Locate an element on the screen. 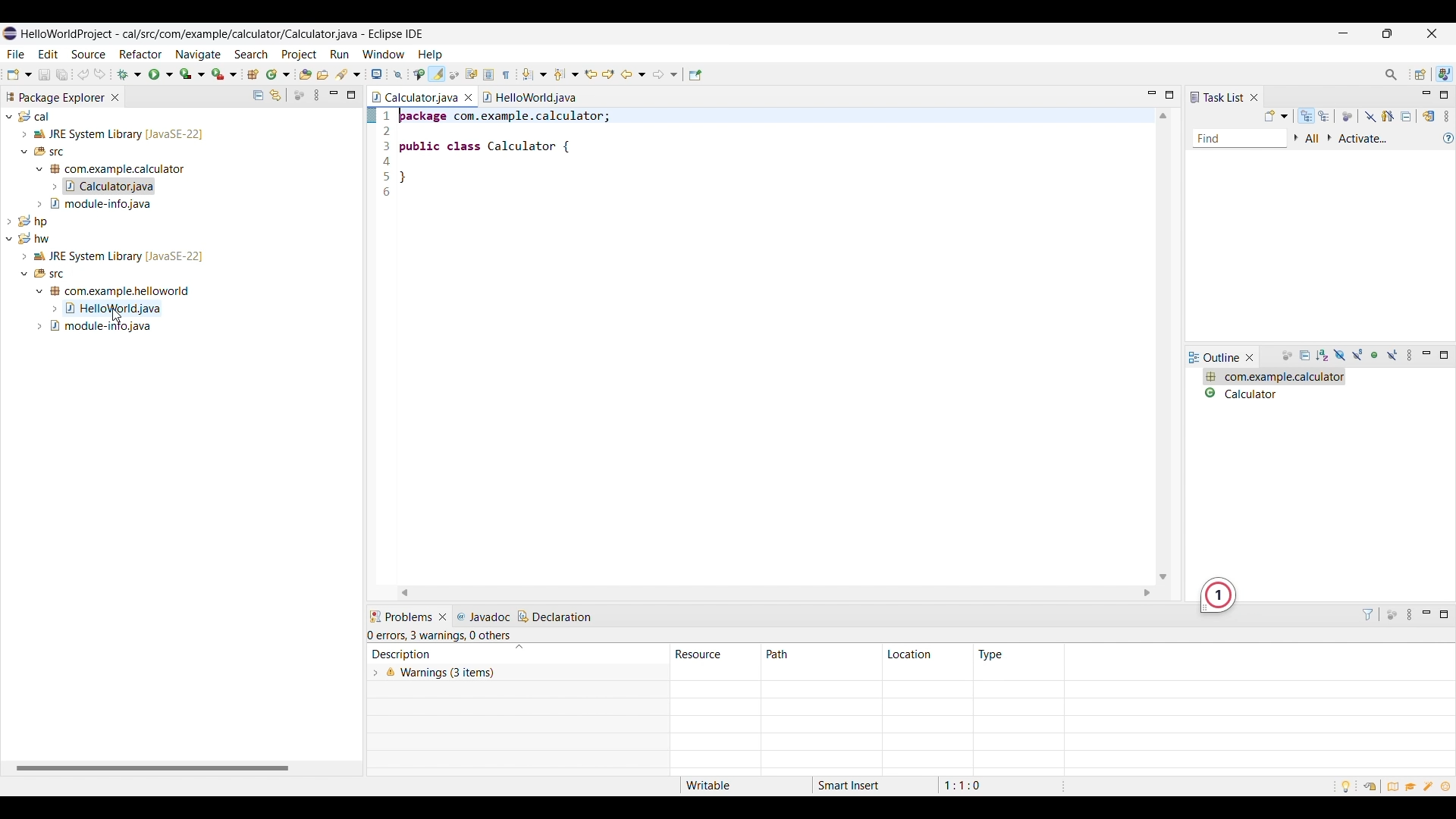  Resource is located at coordinates (716, 654).